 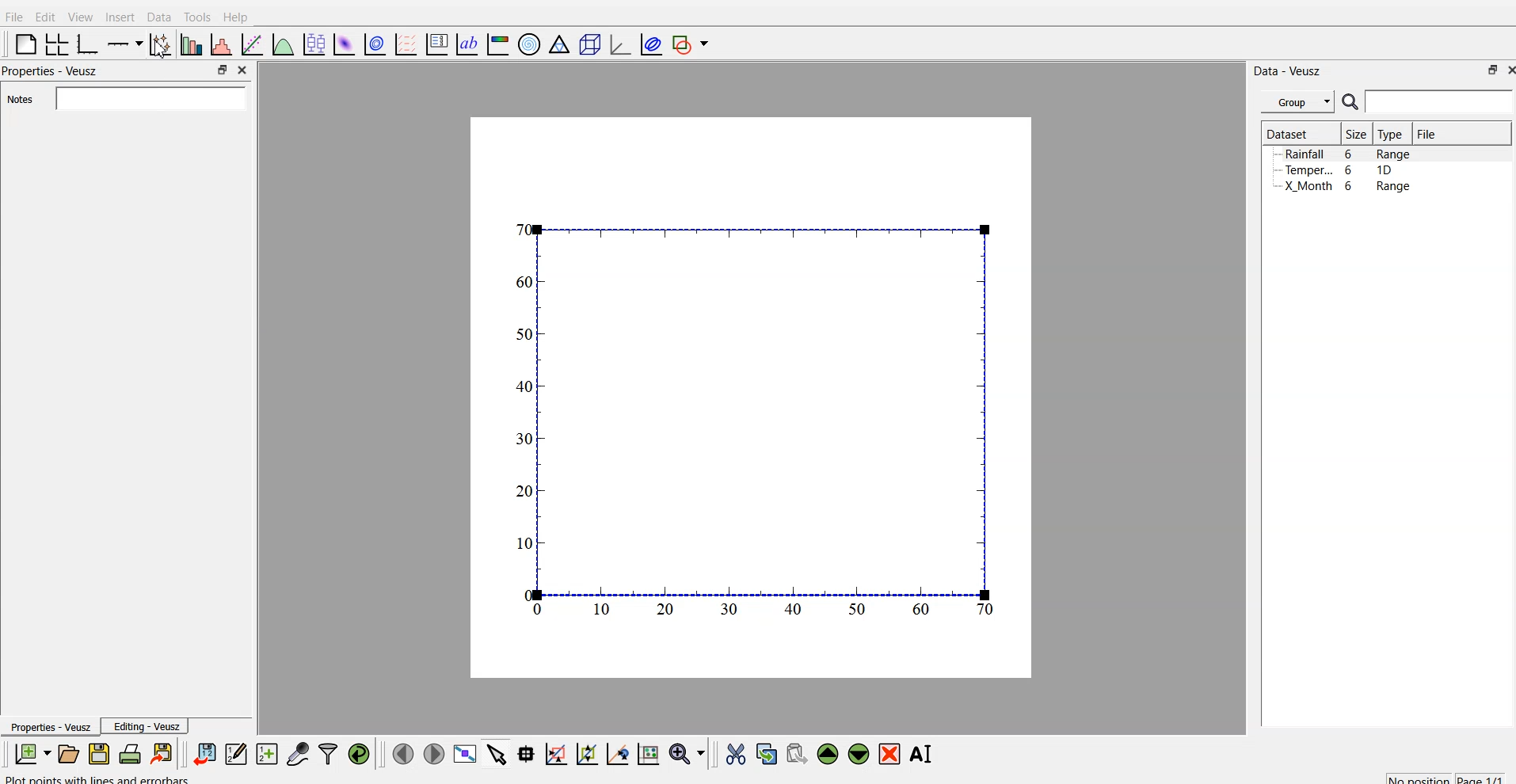 I want to click on rename the selected widget, so click(x=924, y=753).